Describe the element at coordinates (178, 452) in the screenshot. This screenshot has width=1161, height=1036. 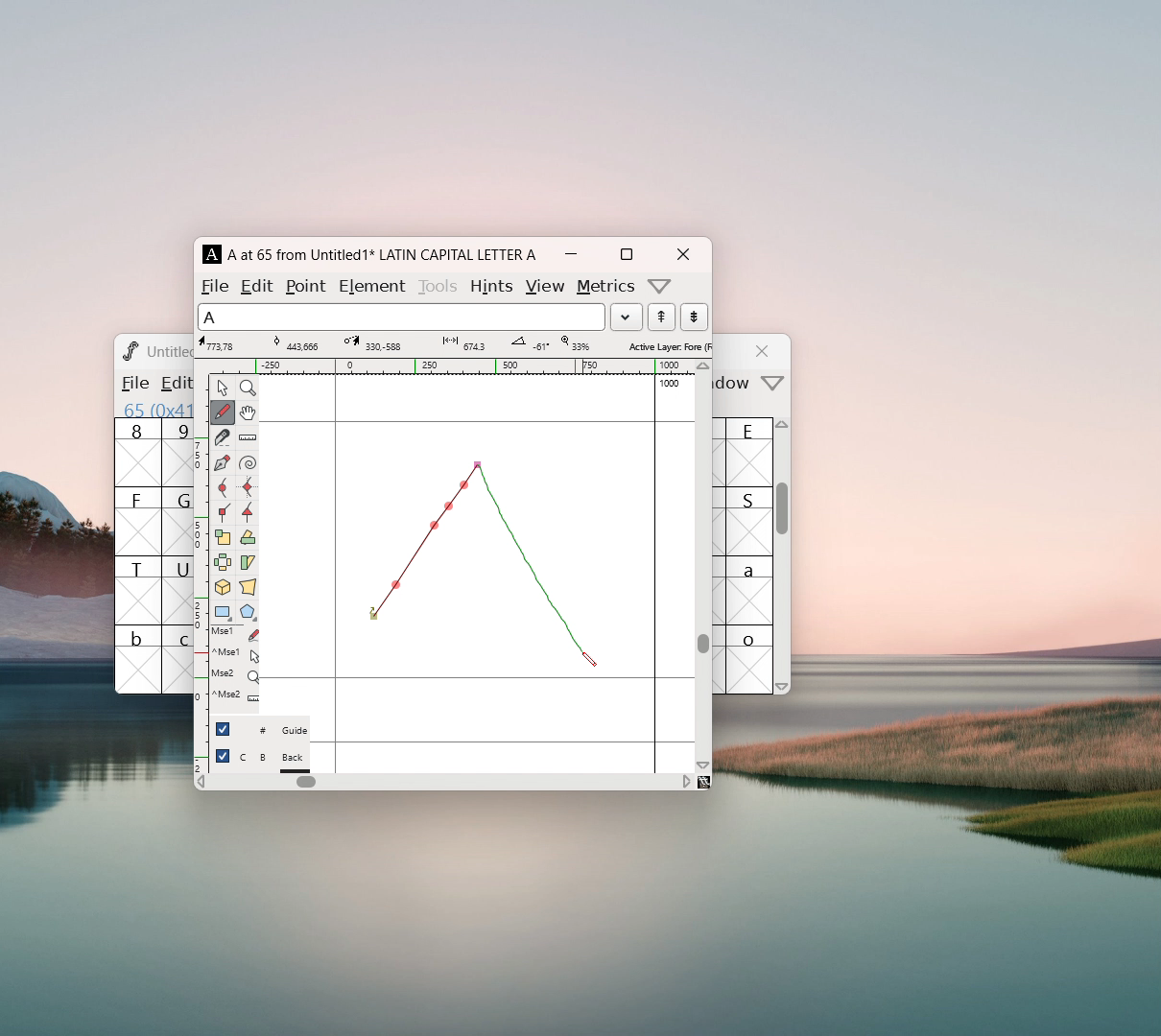
I see `9` at that location.